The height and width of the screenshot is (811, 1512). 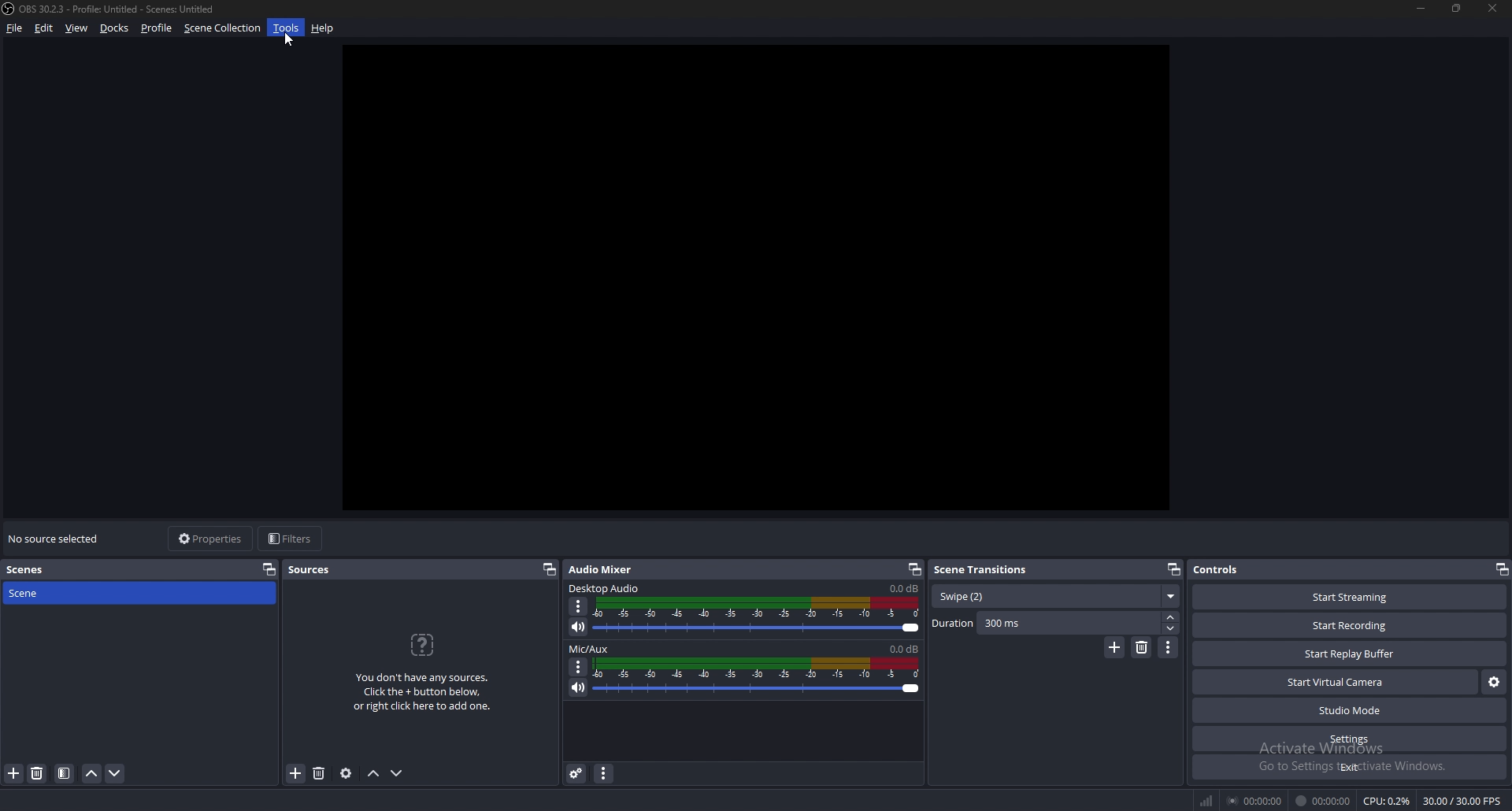 What do you see at coordinates (759, 616) in the screenshot?
I see `volume adjust` at bounding box center [759, 616].